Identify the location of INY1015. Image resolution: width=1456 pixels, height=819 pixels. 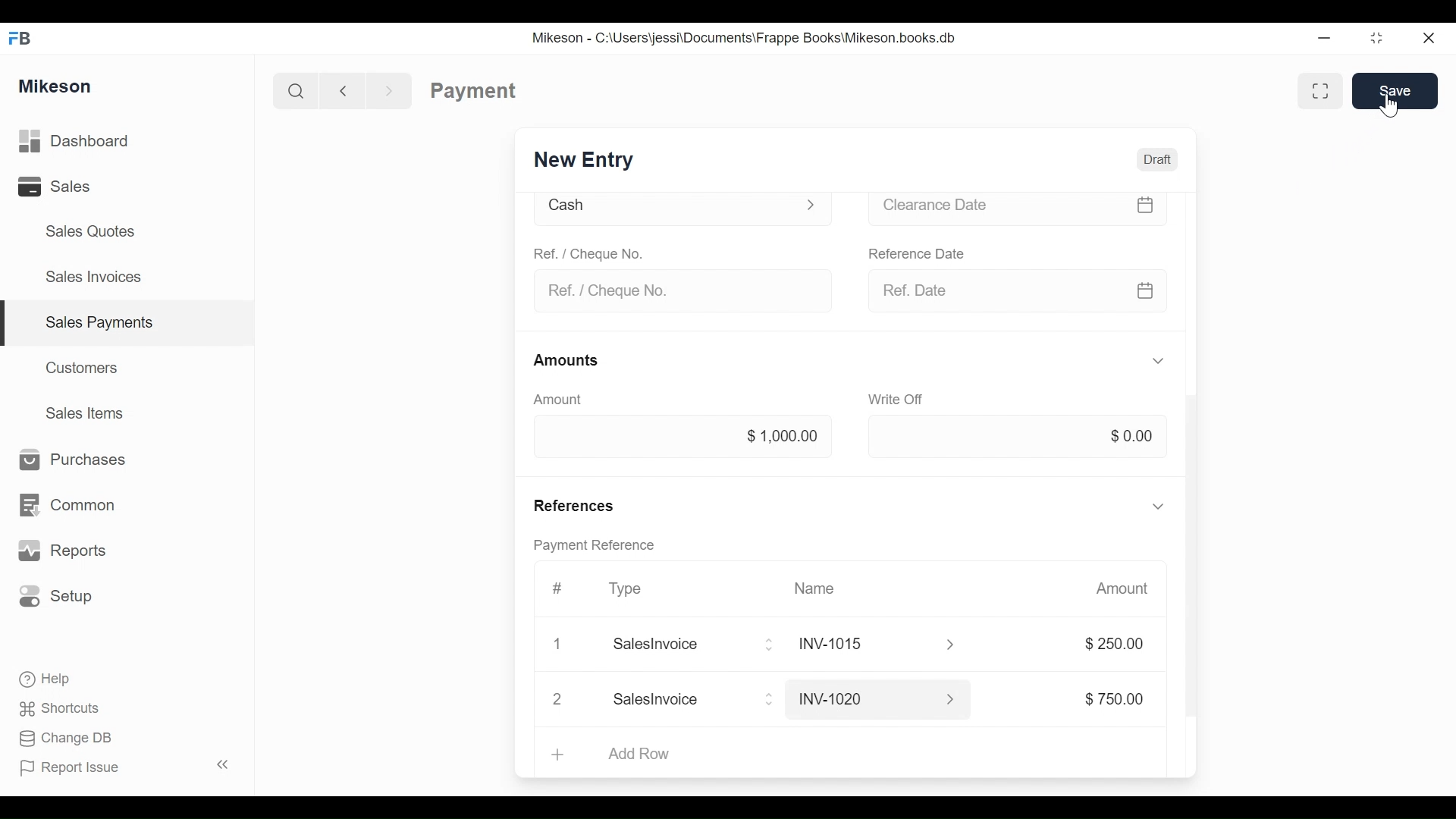
(881, 645).